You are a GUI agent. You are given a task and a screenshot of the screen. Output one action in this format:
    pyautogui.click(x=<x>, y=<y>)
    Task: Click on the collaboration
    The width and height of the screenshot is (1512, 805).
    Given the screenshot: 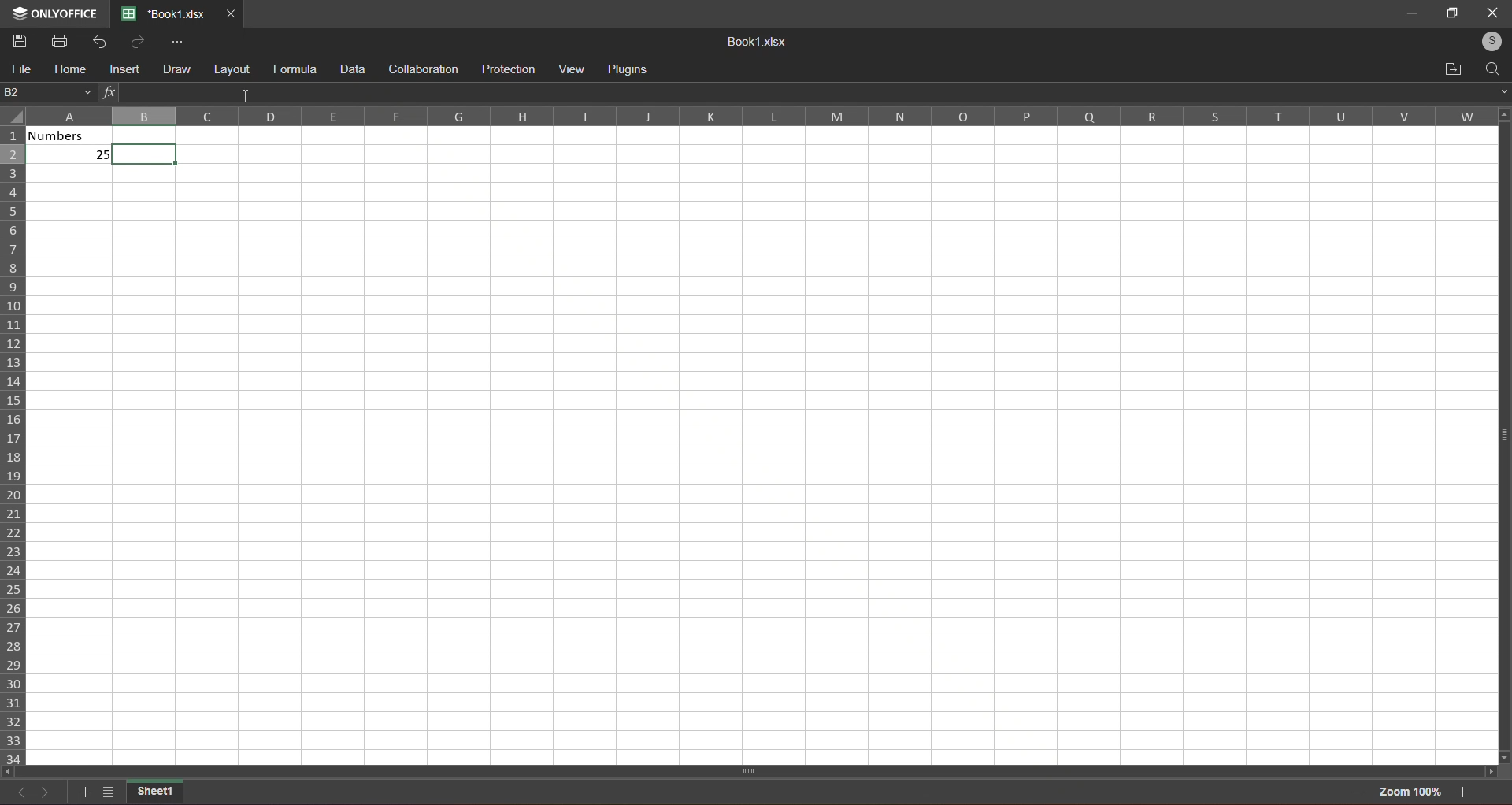 What is the action you would take?
    pyautogui.click(x=422, y=68)
    